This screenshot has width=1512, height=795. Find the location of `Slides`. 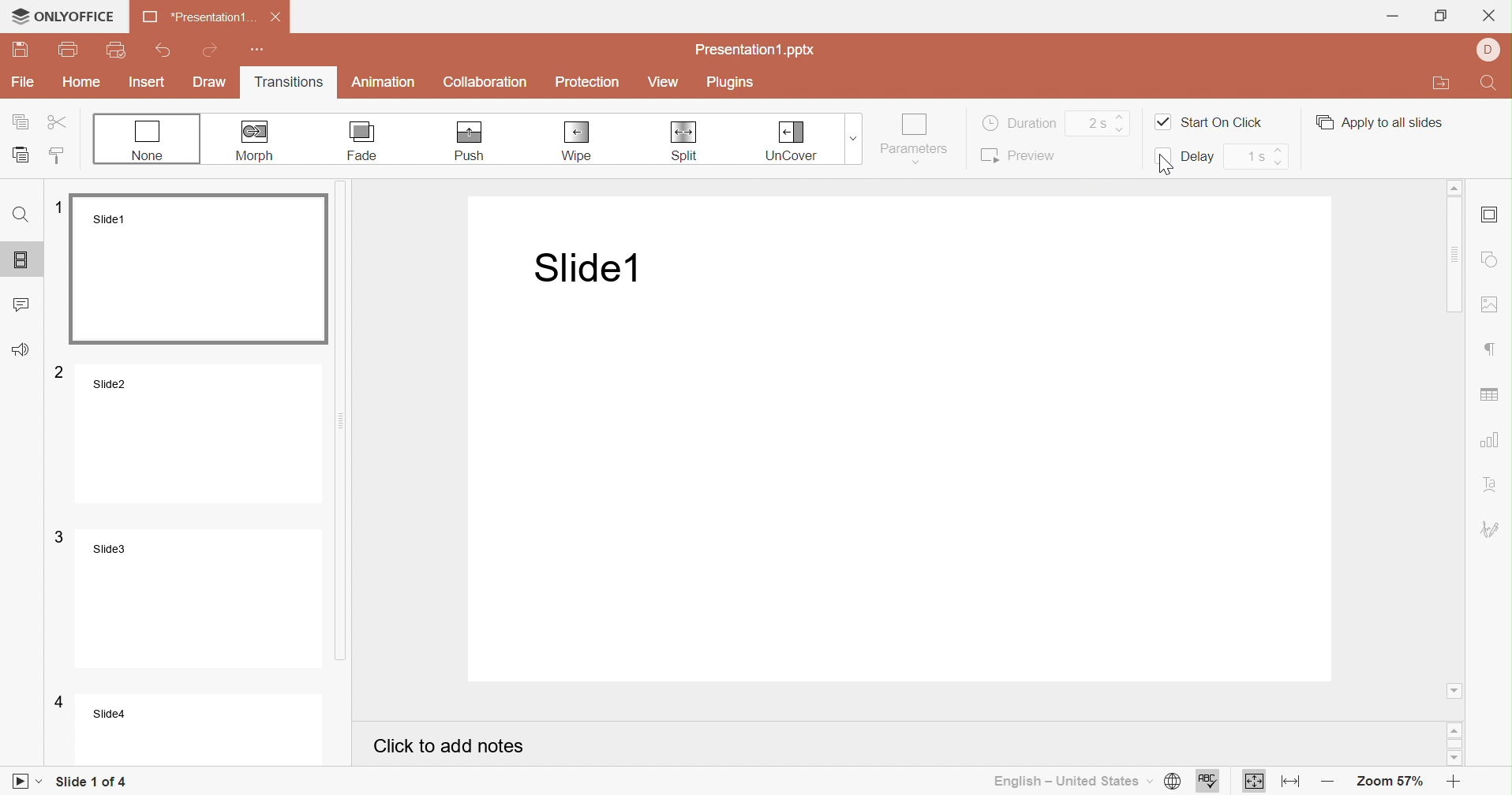

Slides is located at coordinates (24, 256).